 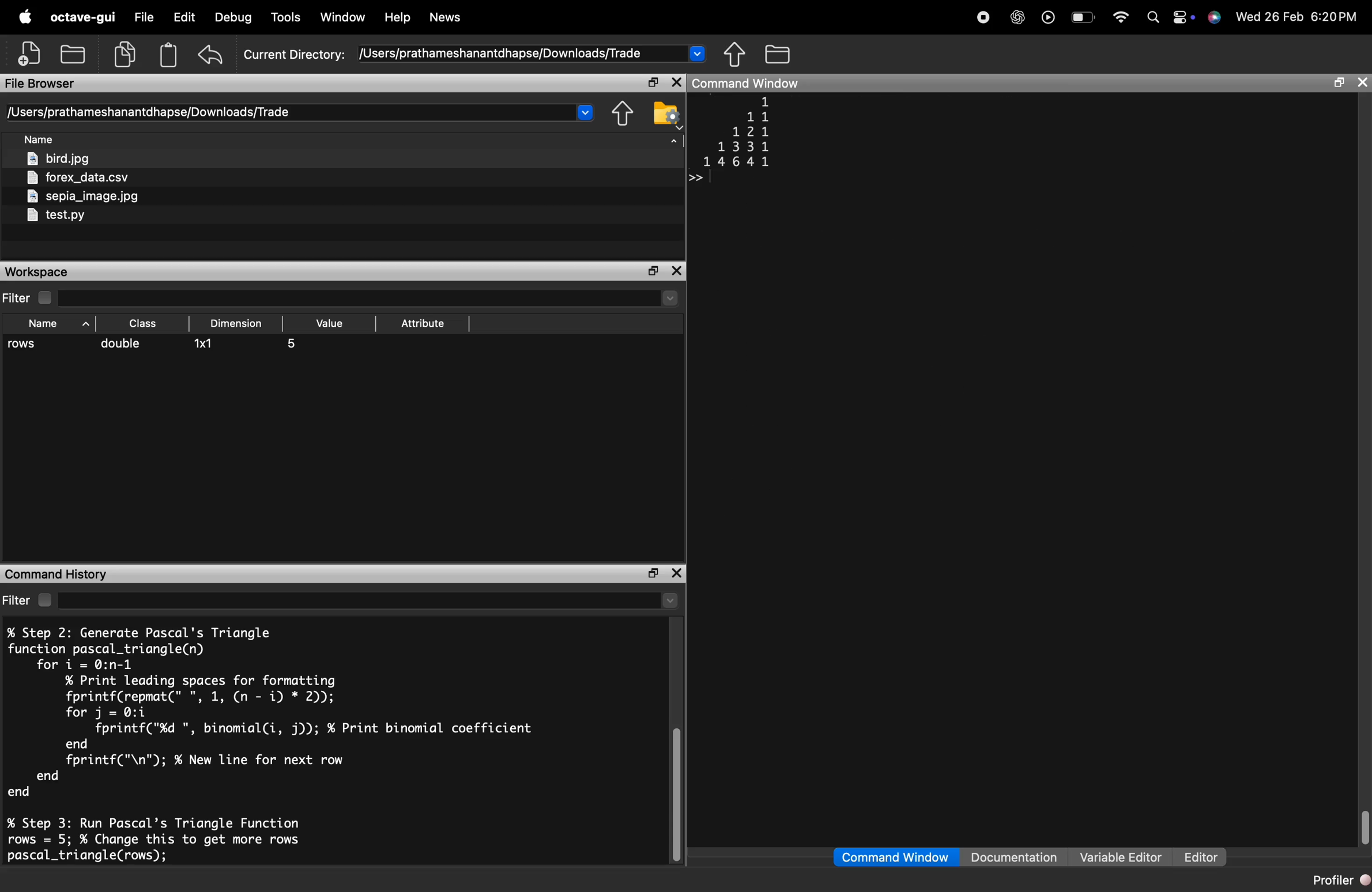 What do you see at coordinates (233, 17) in the screenshot?
I see `Debug` at bounding box center [233, 17].